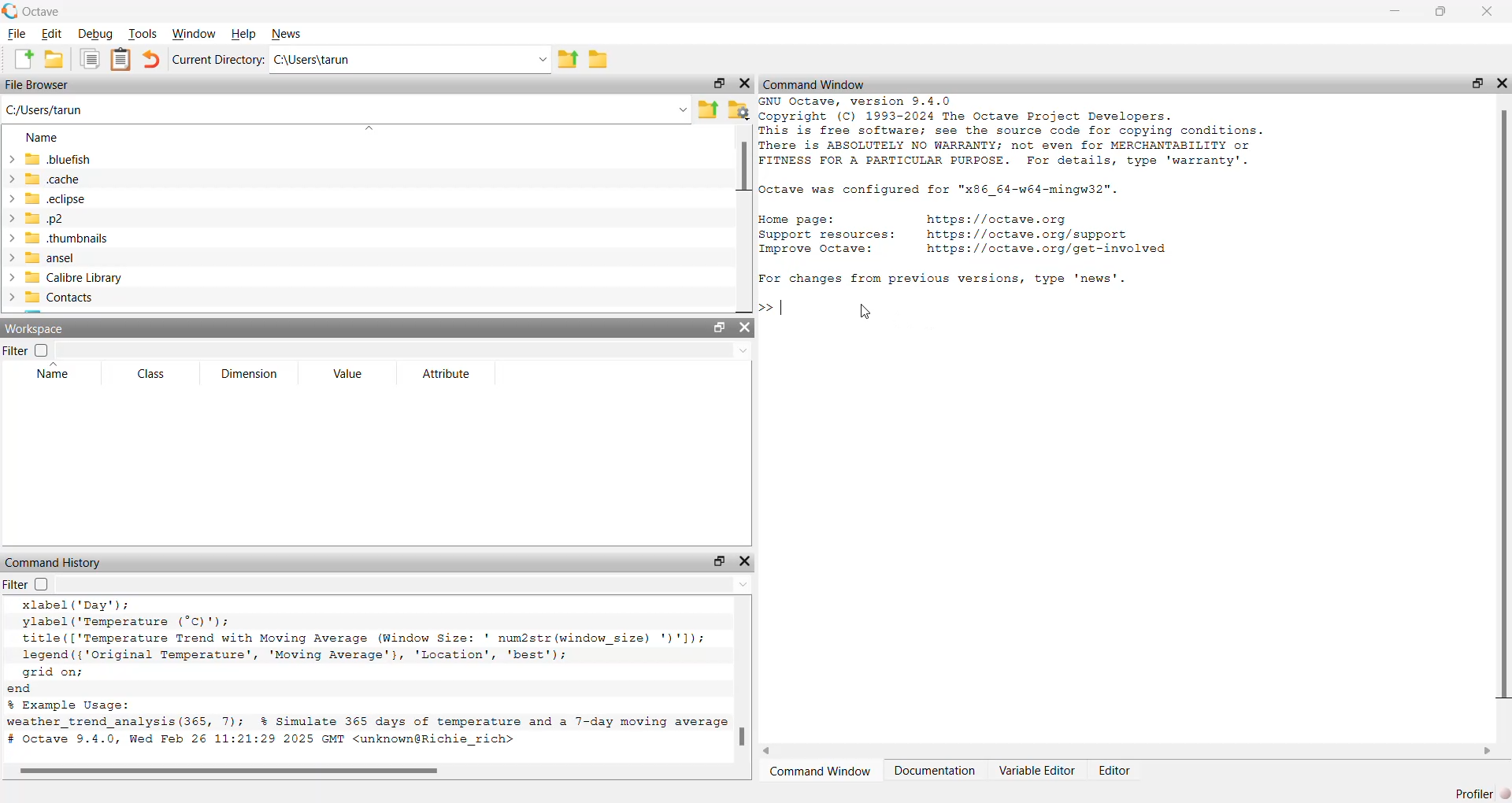  What do you see at coordinates (213, 62) in the screenshot?
I see `Current Directory` at bounding box center [213, 62].